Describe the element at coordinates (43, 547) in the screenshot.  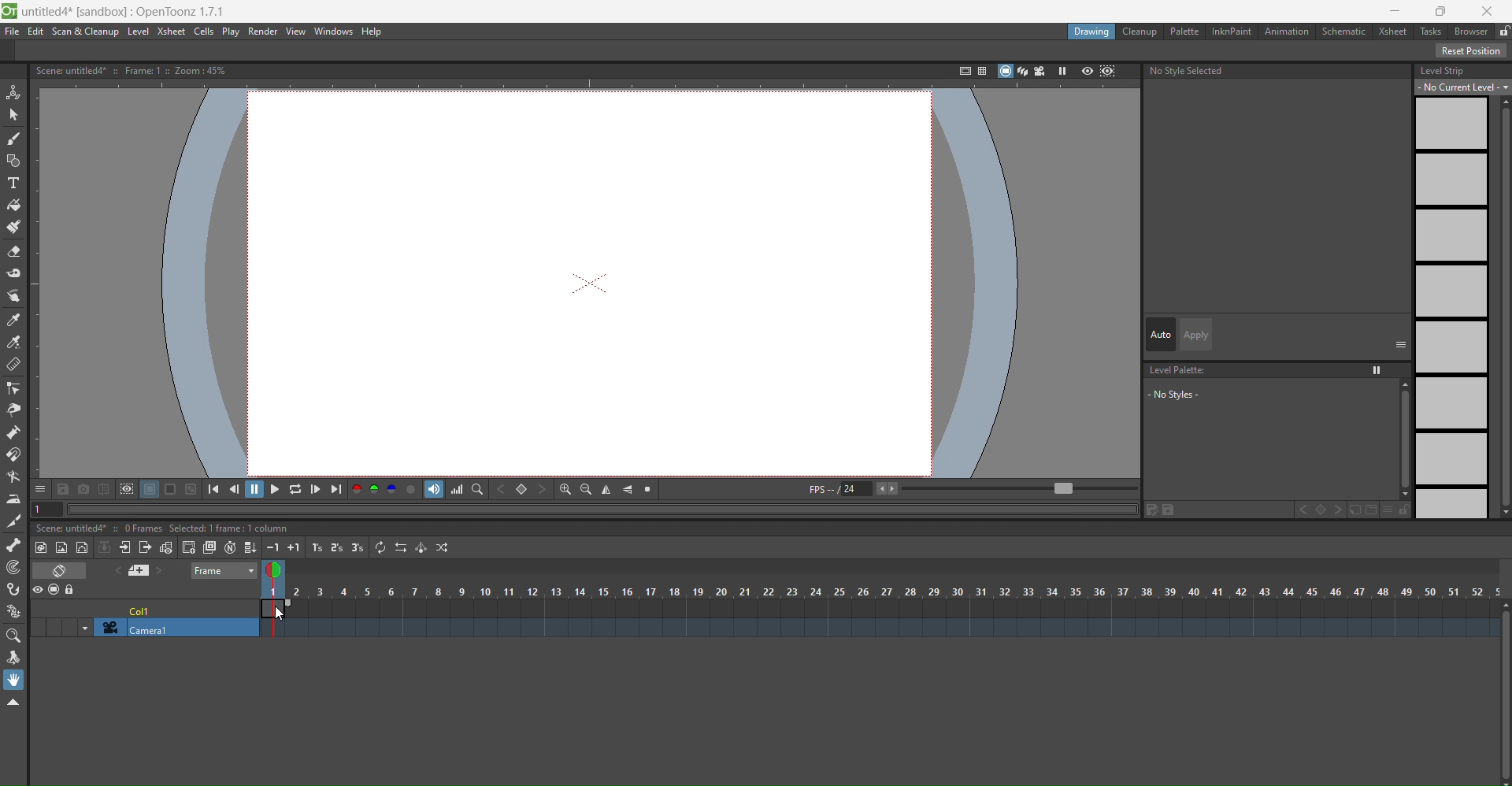
I see `new toonz raster level` at that location.